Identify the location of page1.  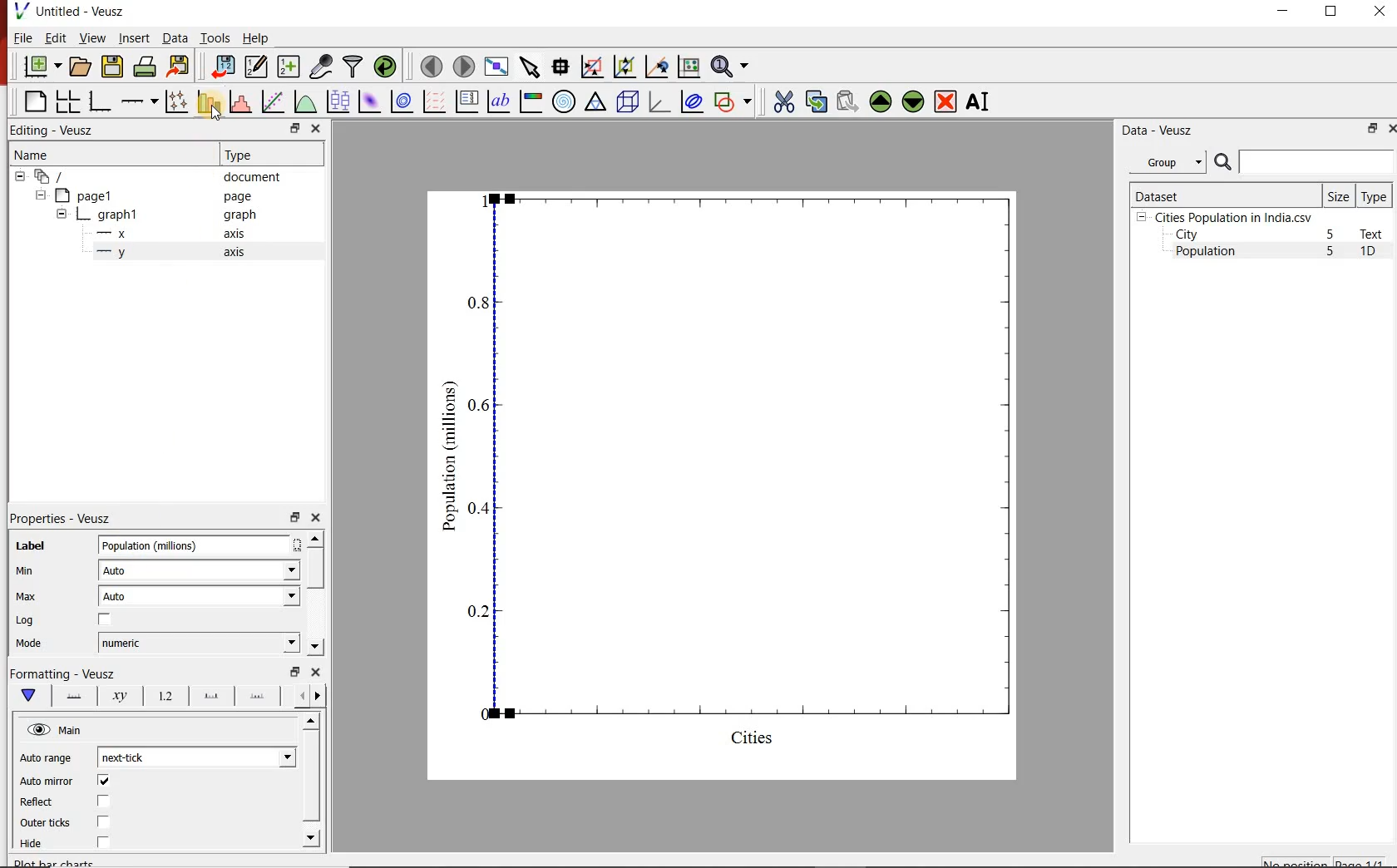
(149, 195).